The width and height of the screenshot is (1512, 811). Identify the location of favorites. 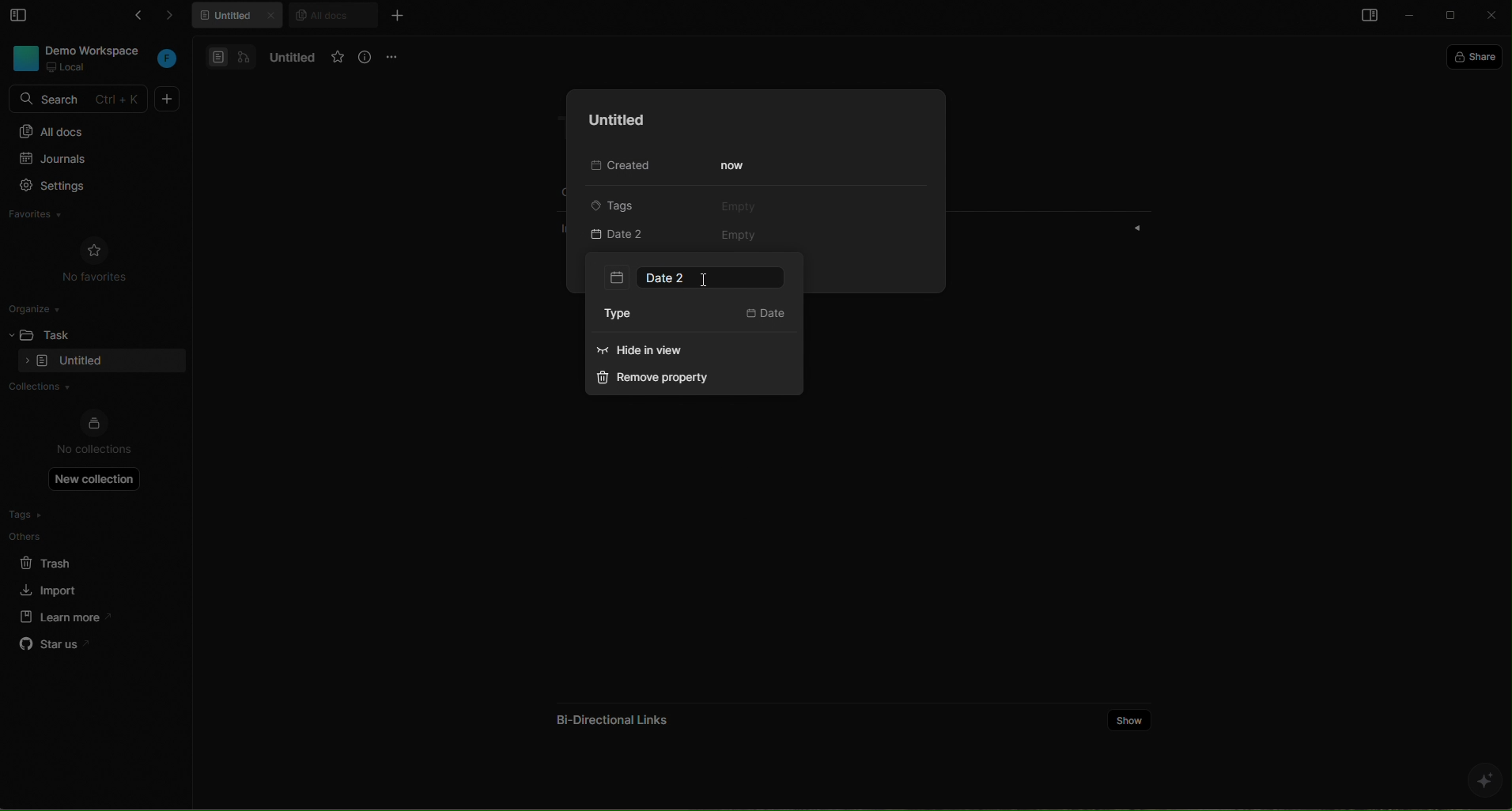
(51, 217).